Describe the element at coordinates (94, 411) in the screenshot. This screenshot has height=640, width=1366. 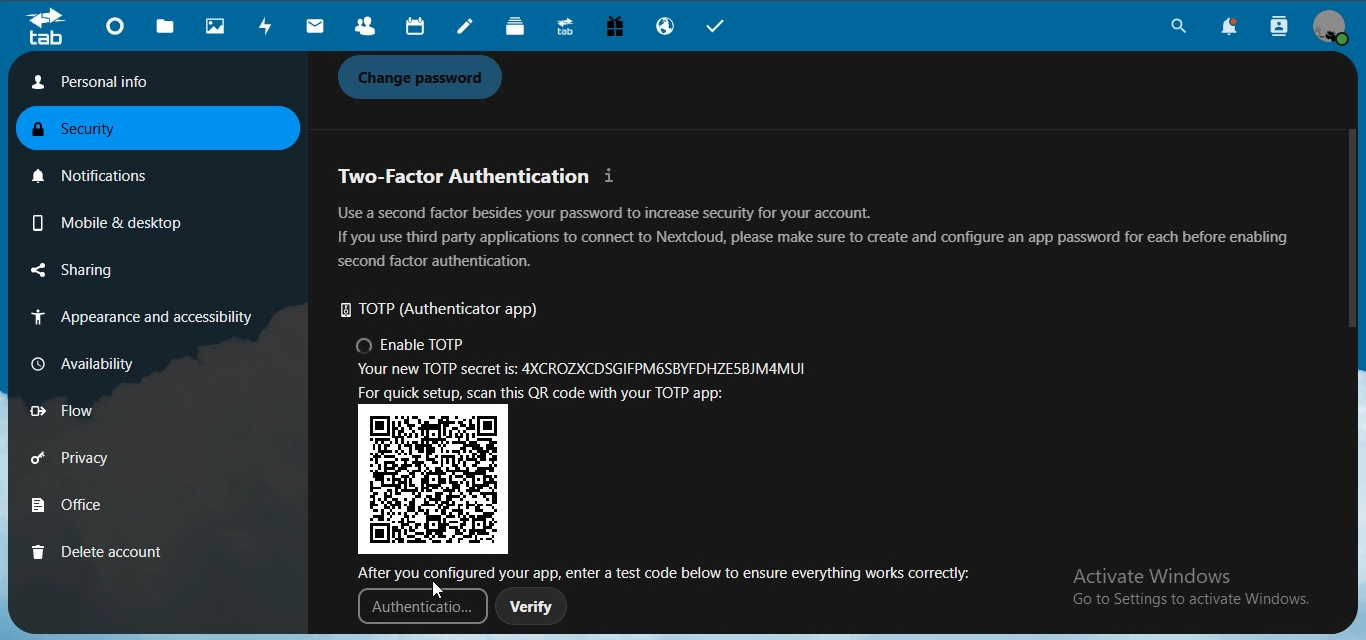
I see `flow` at that location.